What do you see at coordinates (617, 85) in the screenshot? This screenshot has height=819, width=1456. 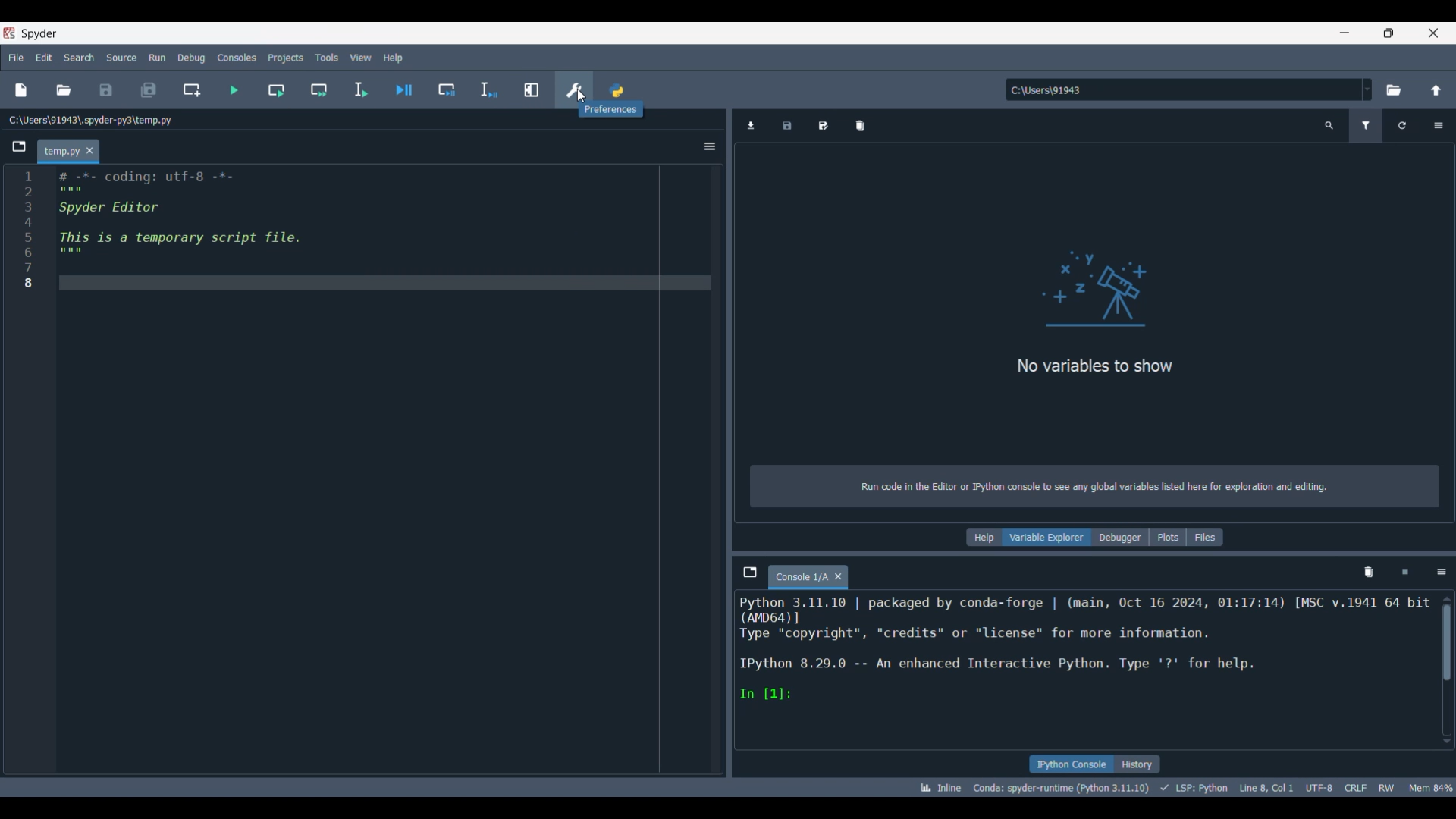 I see `PYTHONPATH manager` at bounding box center [617, 85].